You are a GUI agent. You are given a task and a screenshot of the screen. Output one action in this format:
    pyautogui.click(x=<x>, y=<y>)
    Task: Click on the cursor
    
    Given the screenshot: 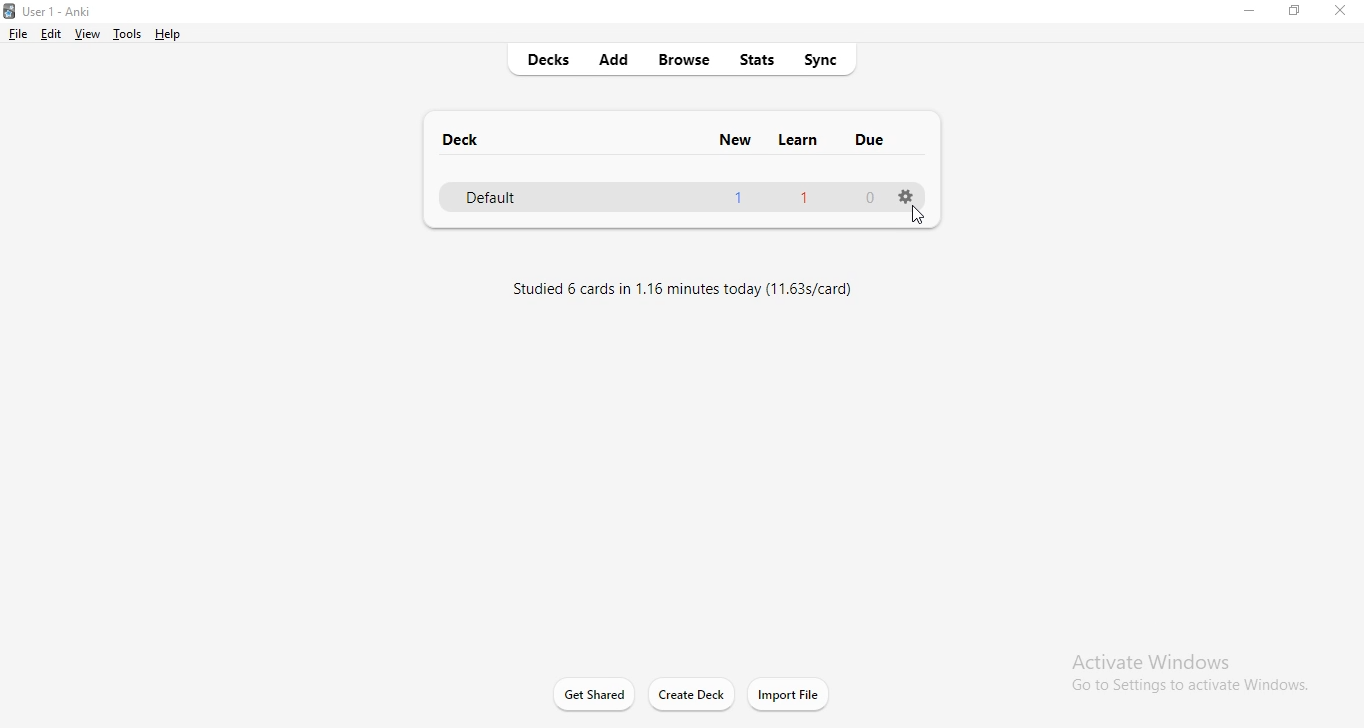 What is the action you would take?
    pyautogui.click(x=919, y=215)
    